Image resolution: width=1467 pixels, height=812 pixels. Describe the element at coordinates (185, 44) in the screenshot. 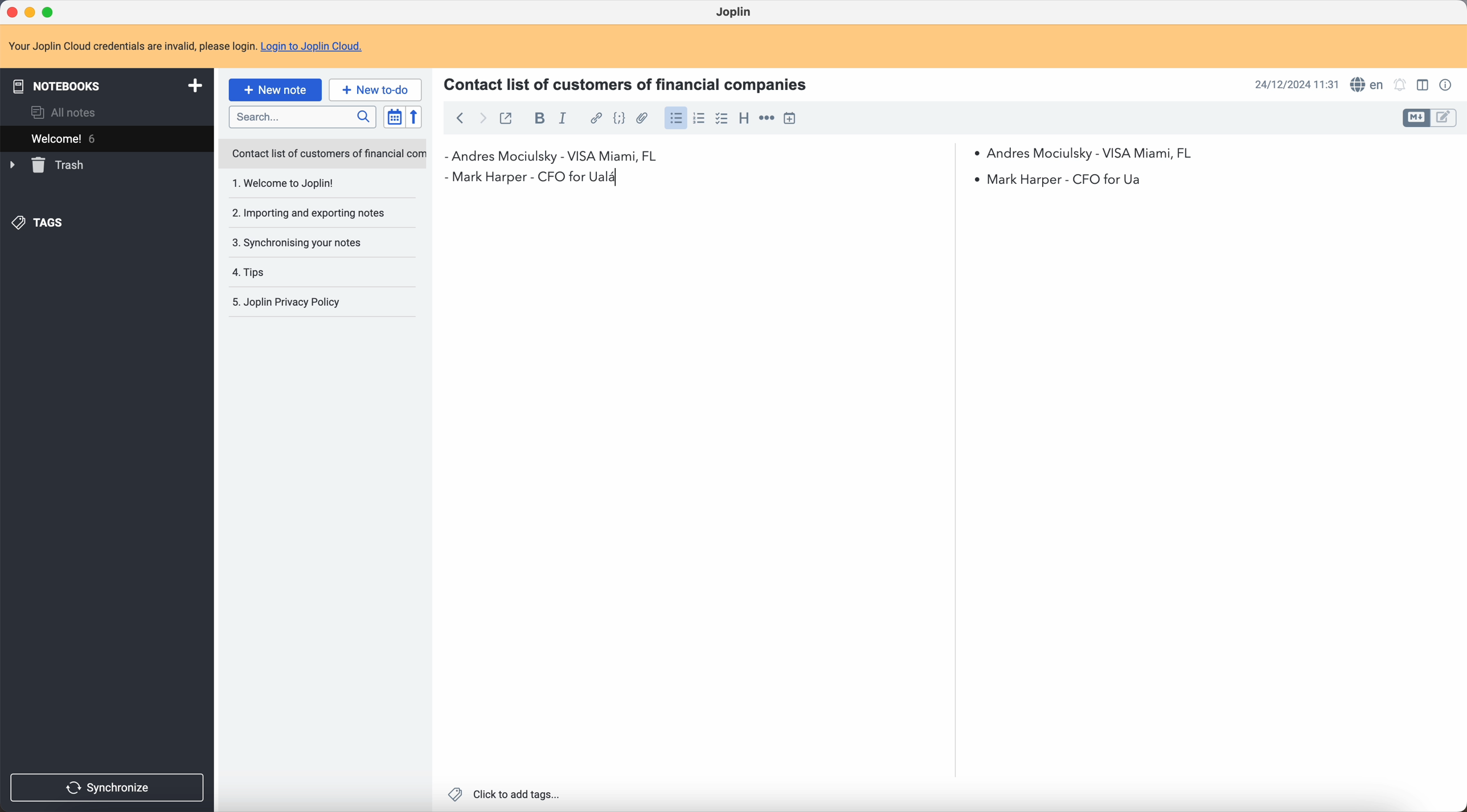

I see `note` at that location.